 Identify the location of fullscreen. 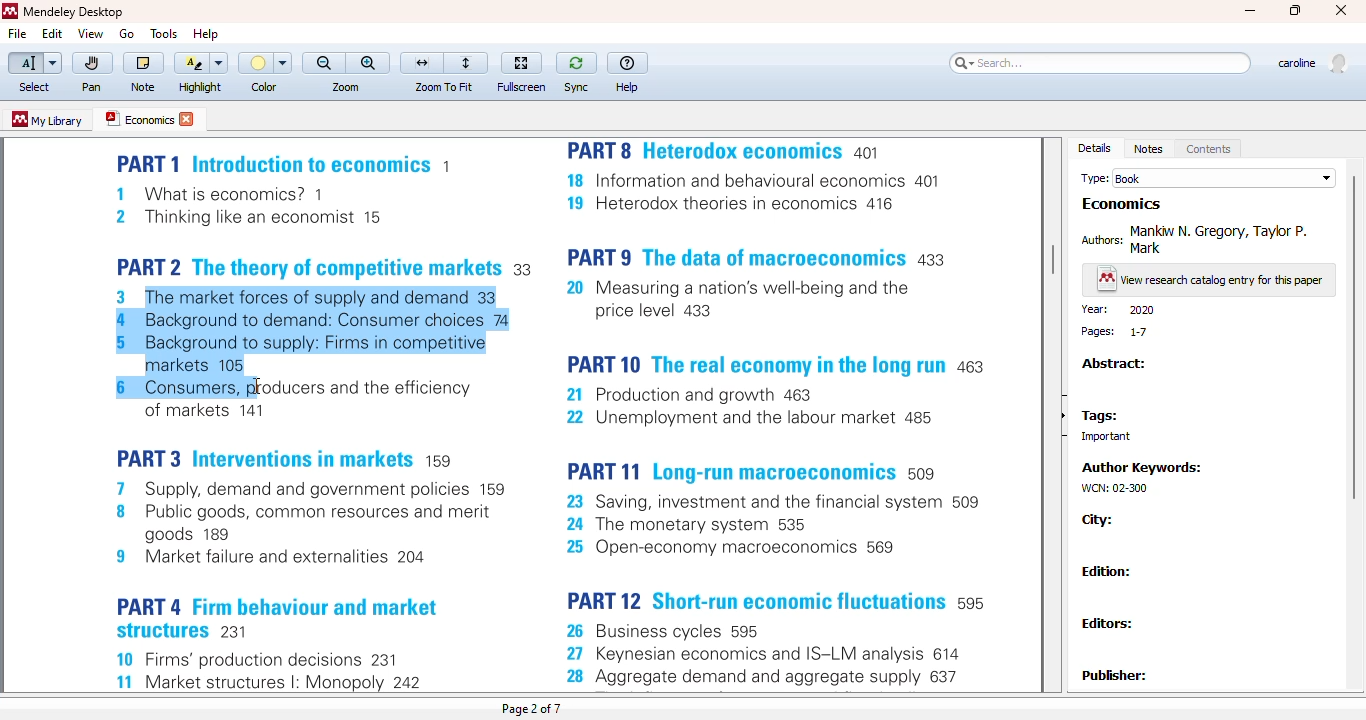
(521, 63).